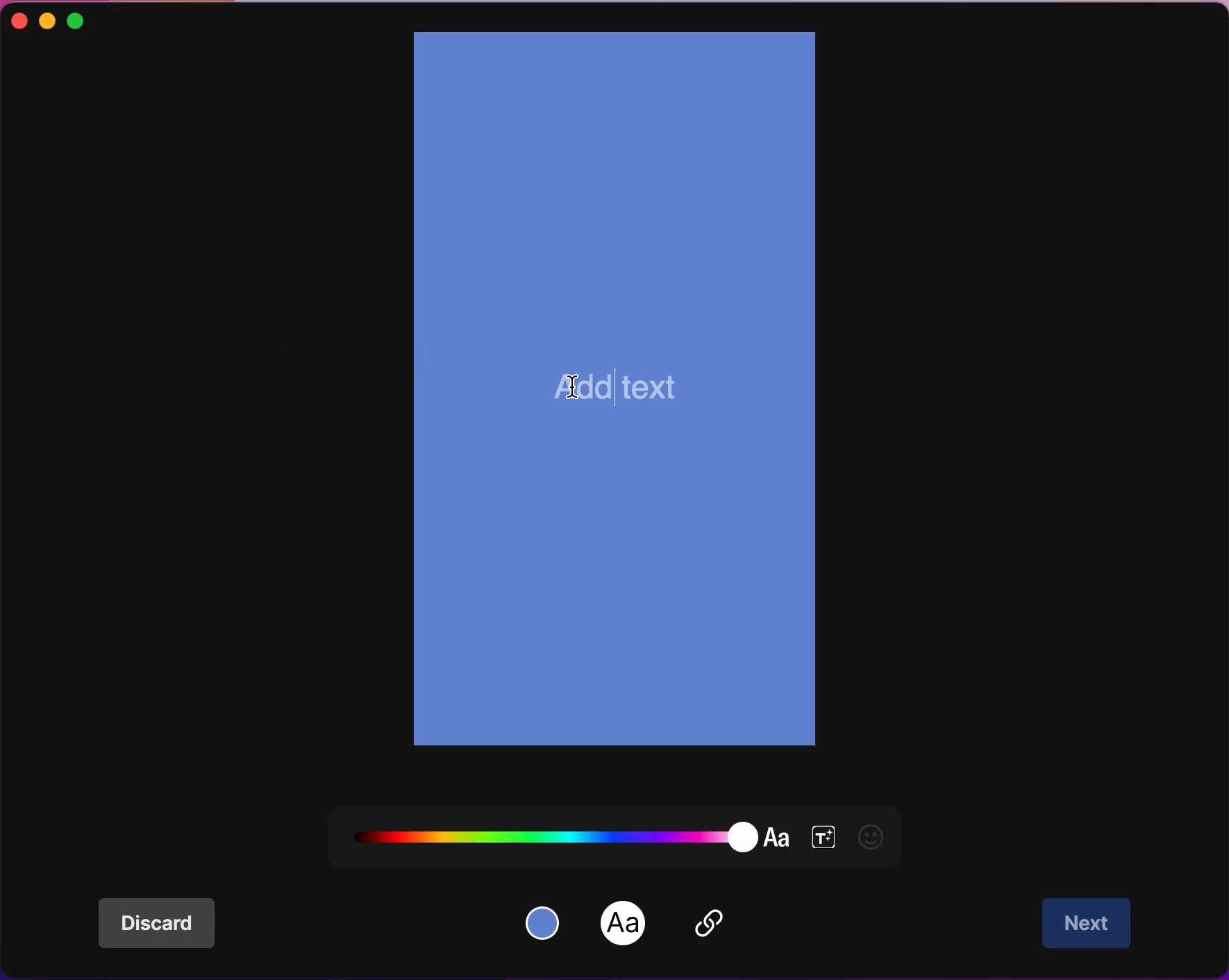 Image resolution: width=1229 pixels, height=980 pixels. I want to click on next, so click(1089, 924).